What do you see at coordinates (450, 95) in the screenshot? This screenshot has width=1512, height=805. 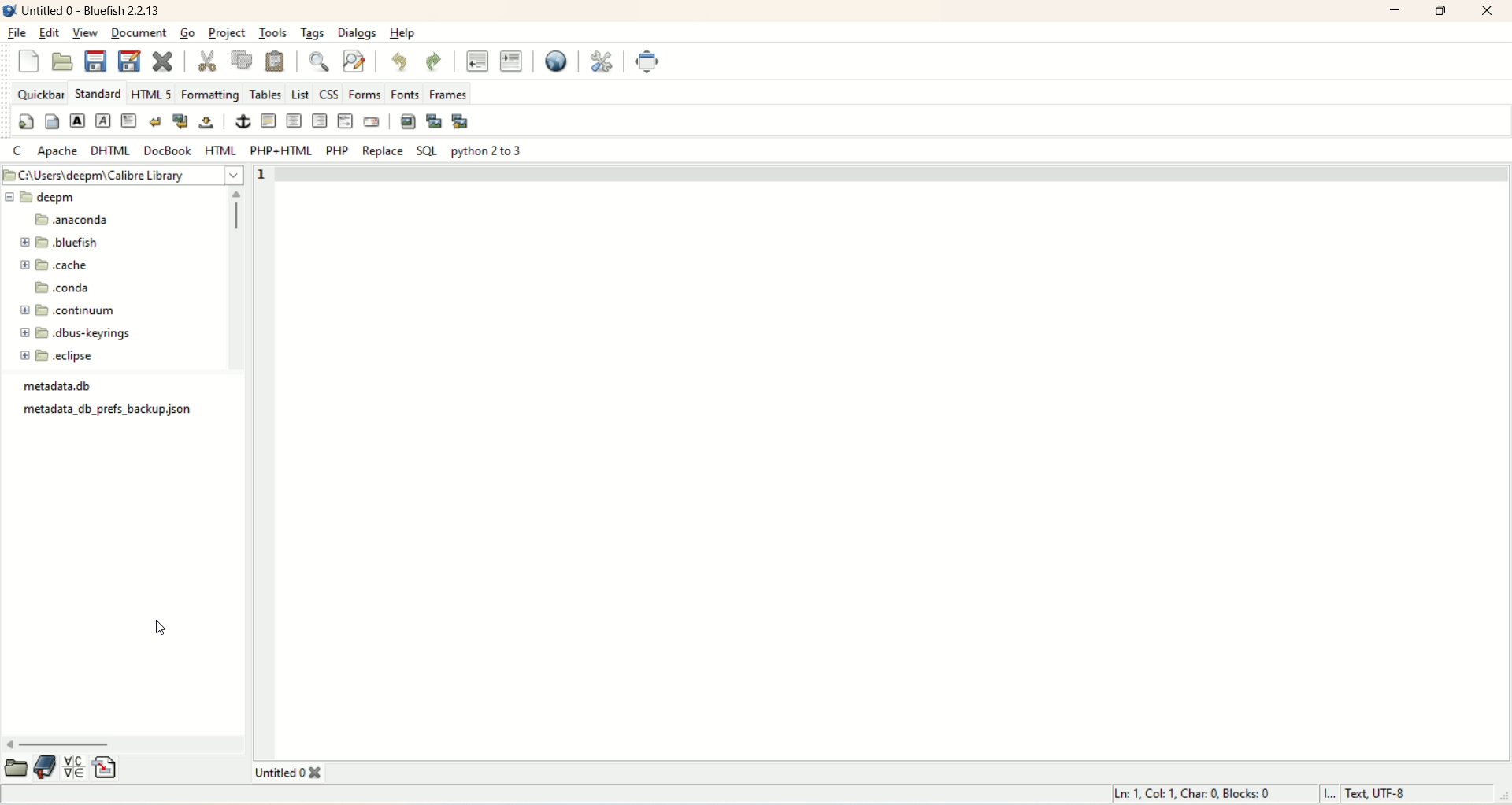 I see `frames` at bounding box center [450, 95].